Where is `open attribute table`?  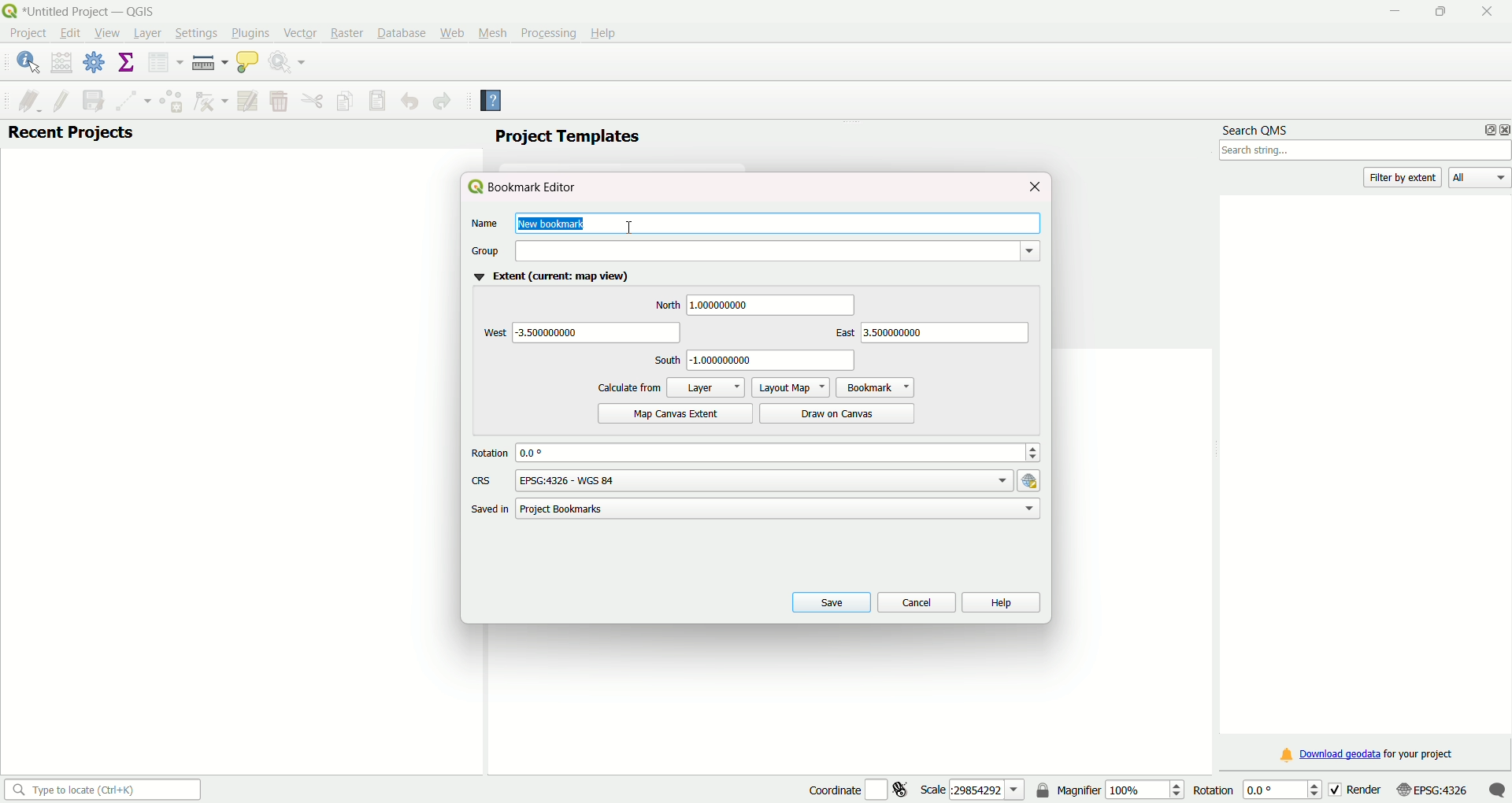
open attribute table is located at coordinates (163, 63).